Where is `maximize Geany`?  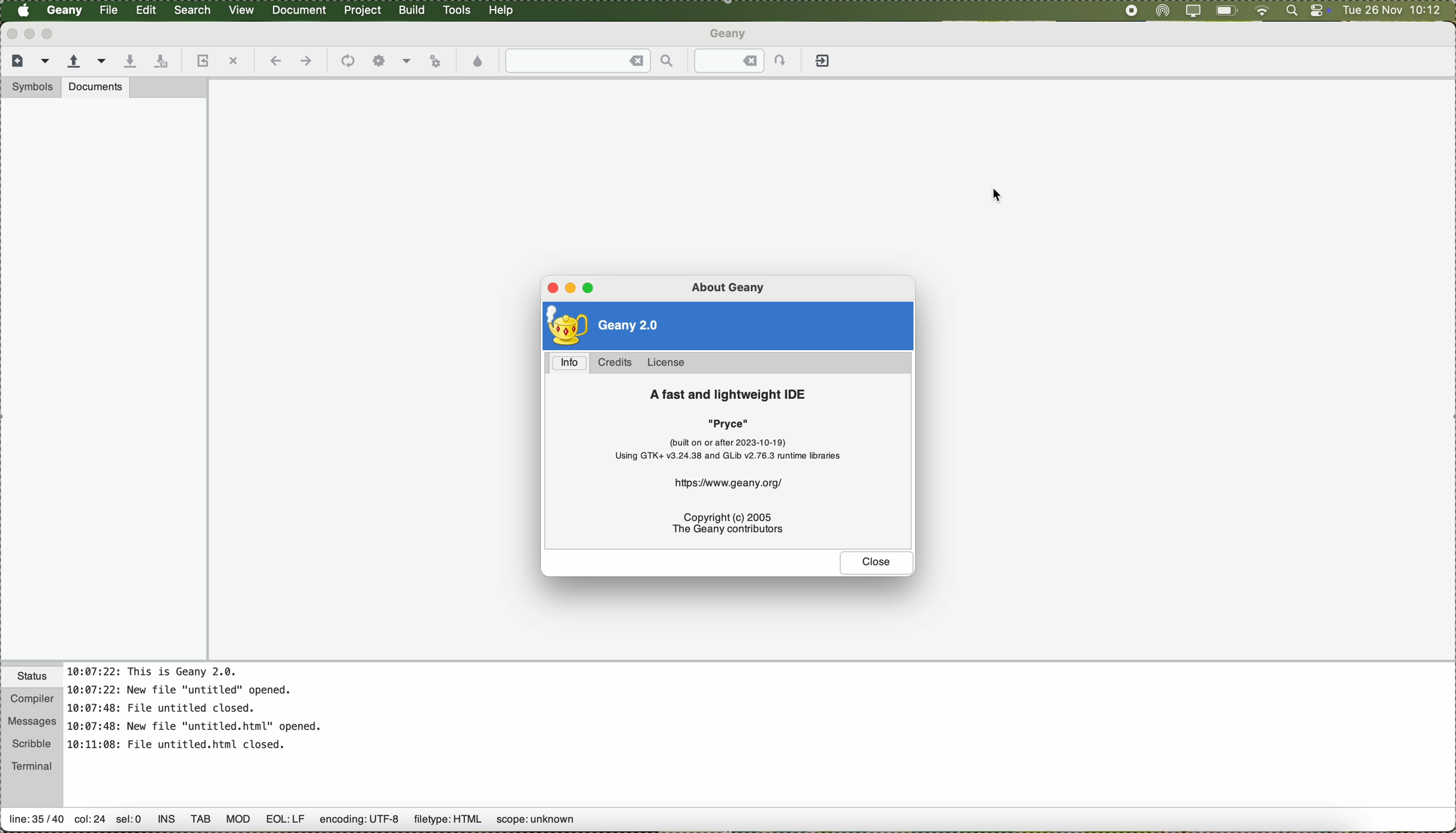
maximize Geany is located at coordinates (53, 37).